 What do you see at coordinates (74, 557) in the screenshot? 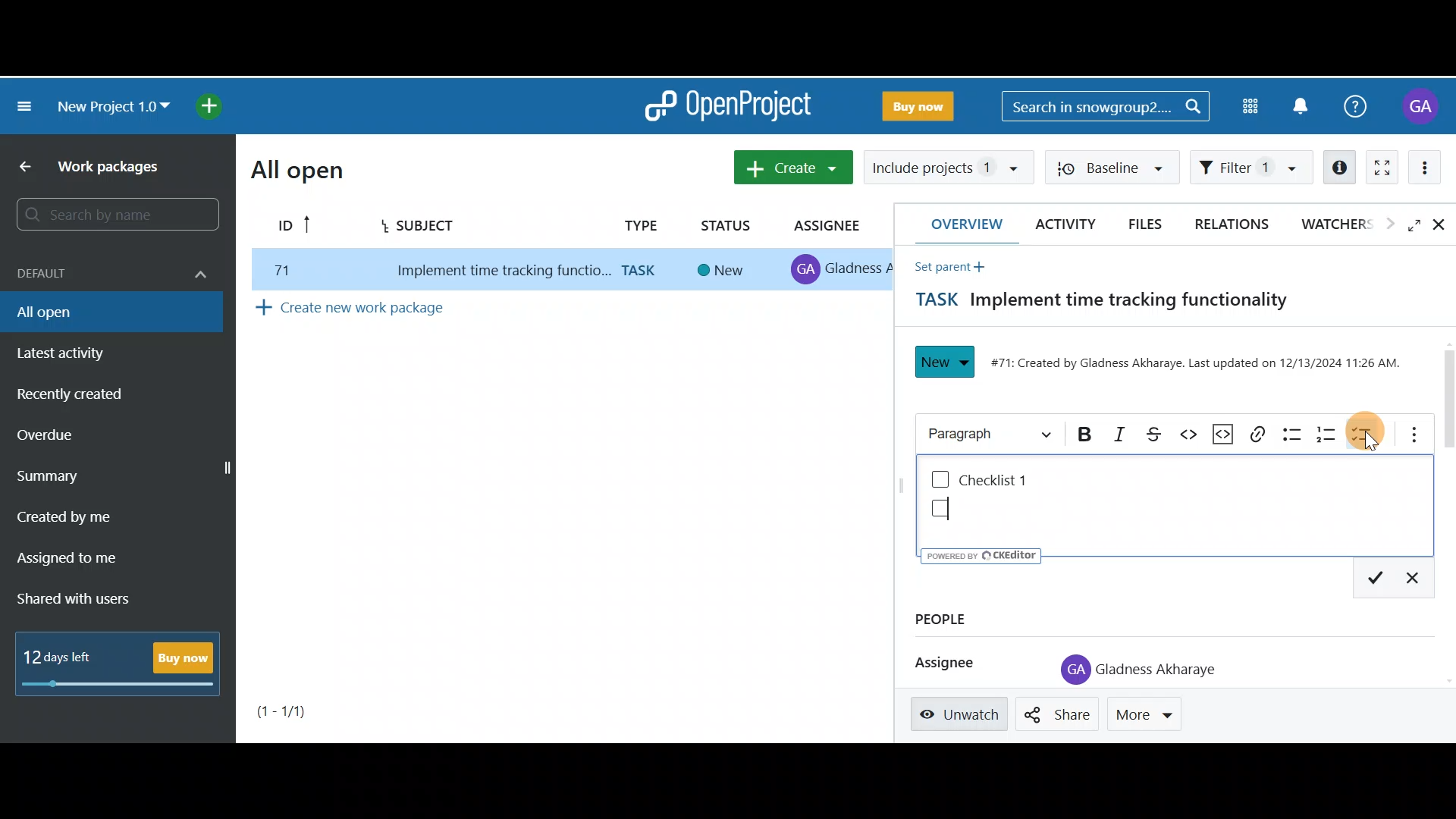
I see `Assigned to me` at bounding box center [74, 557].